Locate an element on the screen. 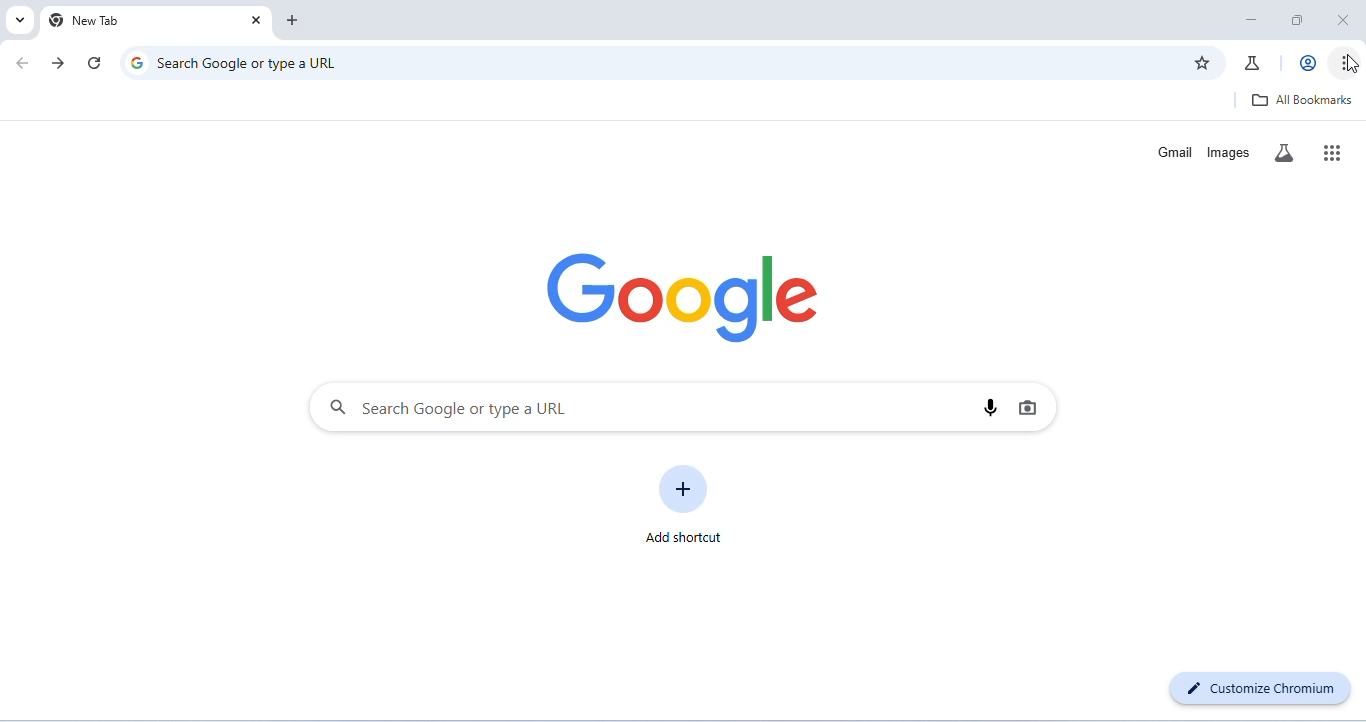  go forward is located at coordinates (60, 63).